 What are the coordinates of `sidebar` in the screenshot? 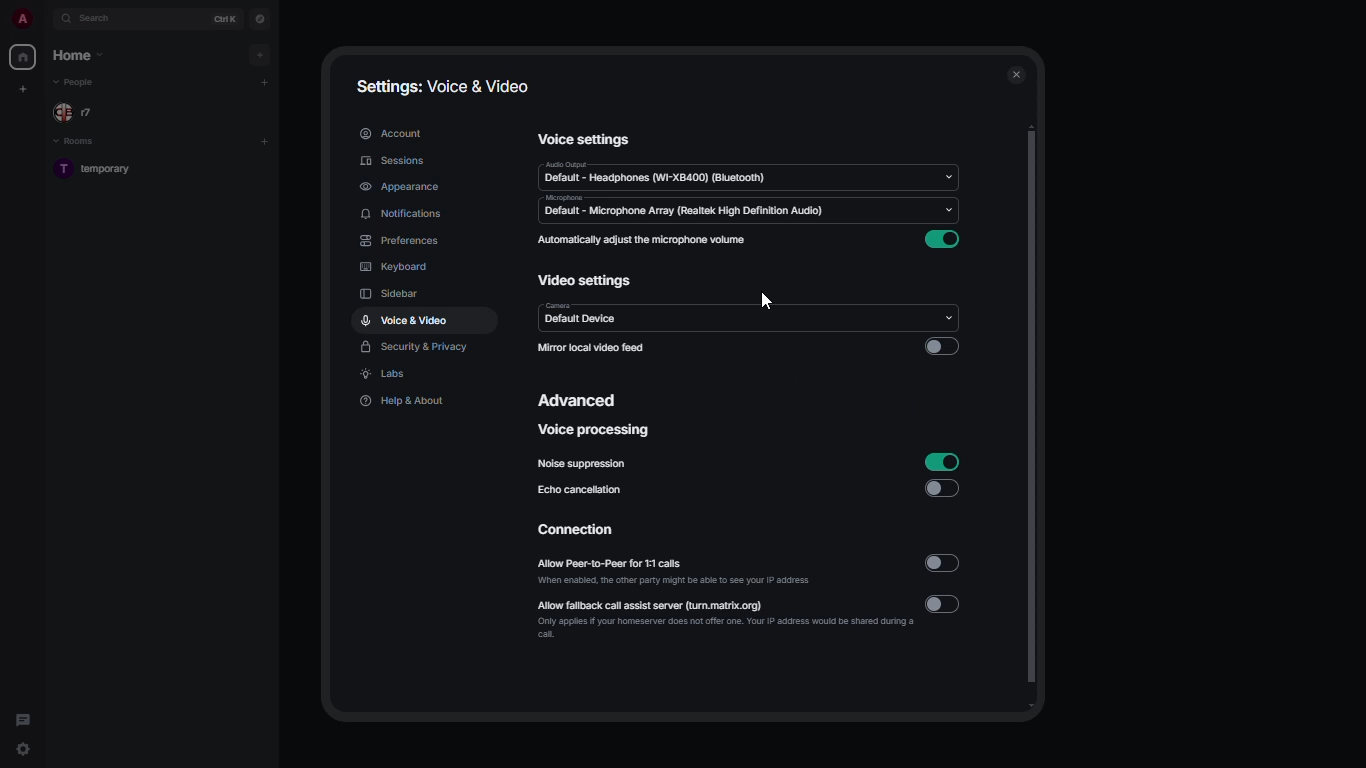 It's located at (390, 293).